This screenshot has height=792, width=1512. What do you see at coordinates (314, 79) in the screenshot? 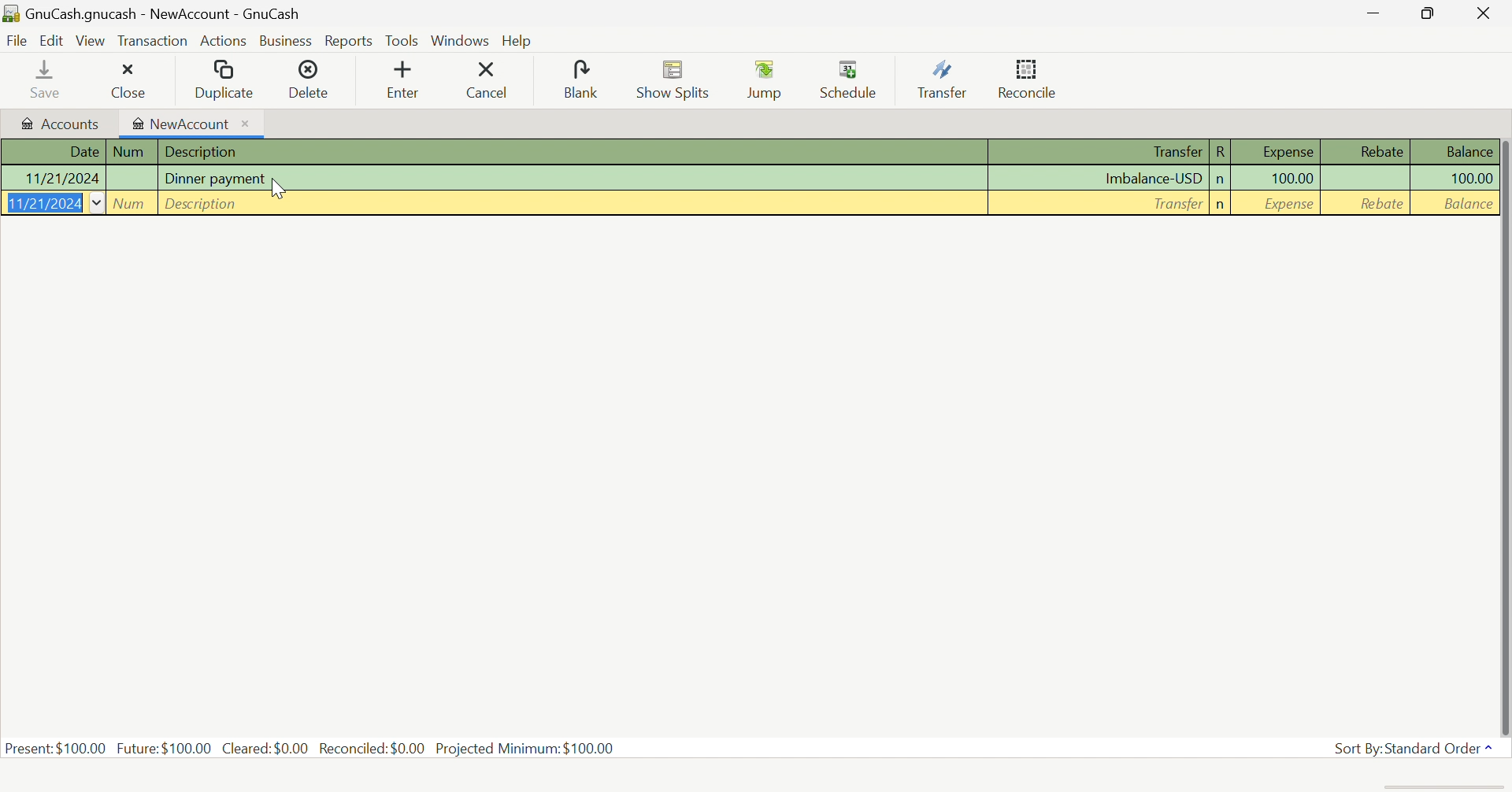
I see `Delete` at bounding box center [314, 79].